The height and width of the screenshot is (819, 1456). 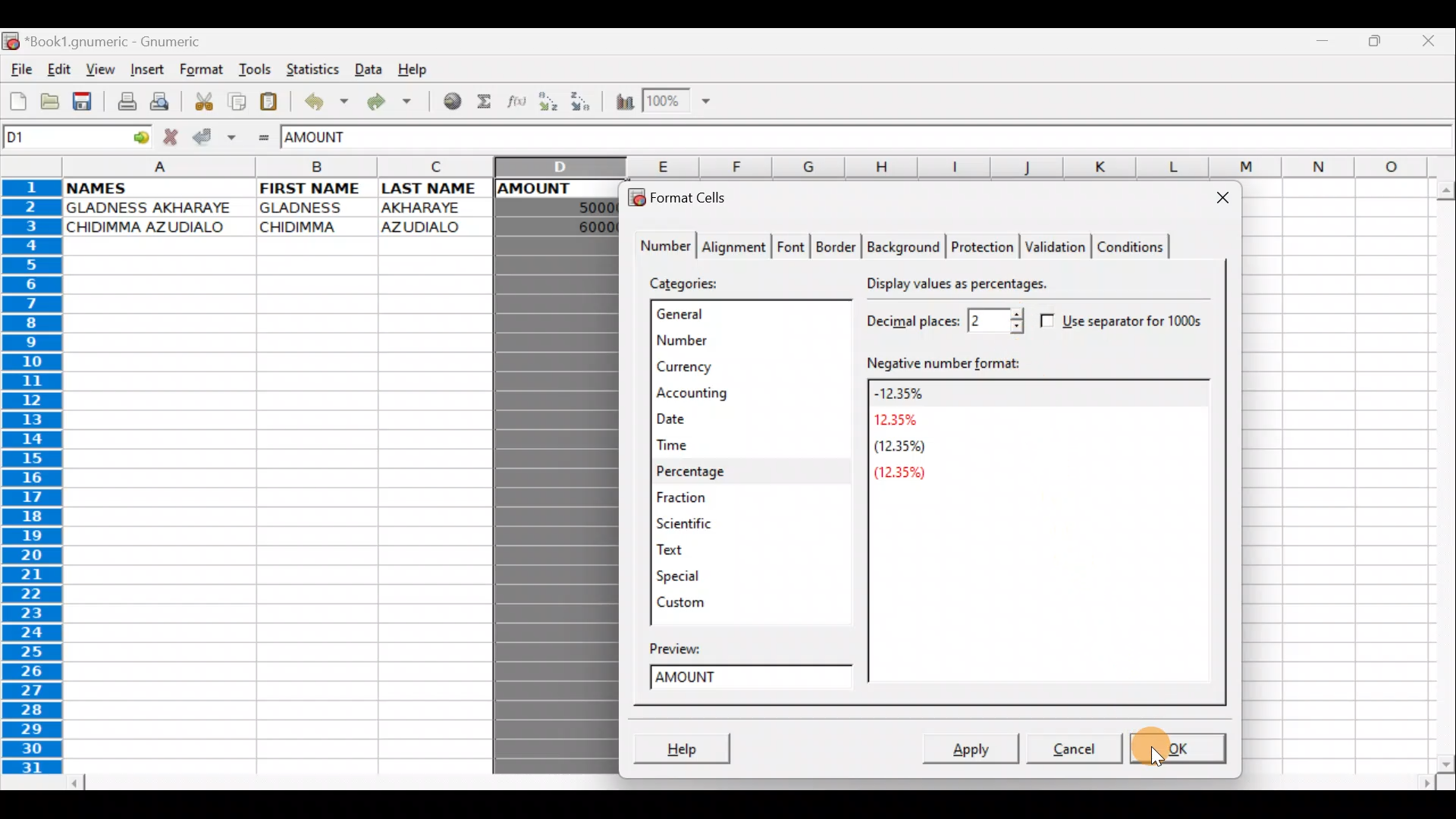 What do you see at coordinates (1375, 45) in the screenshot?
I see `Maximize` at bounding box center [1375, 45].